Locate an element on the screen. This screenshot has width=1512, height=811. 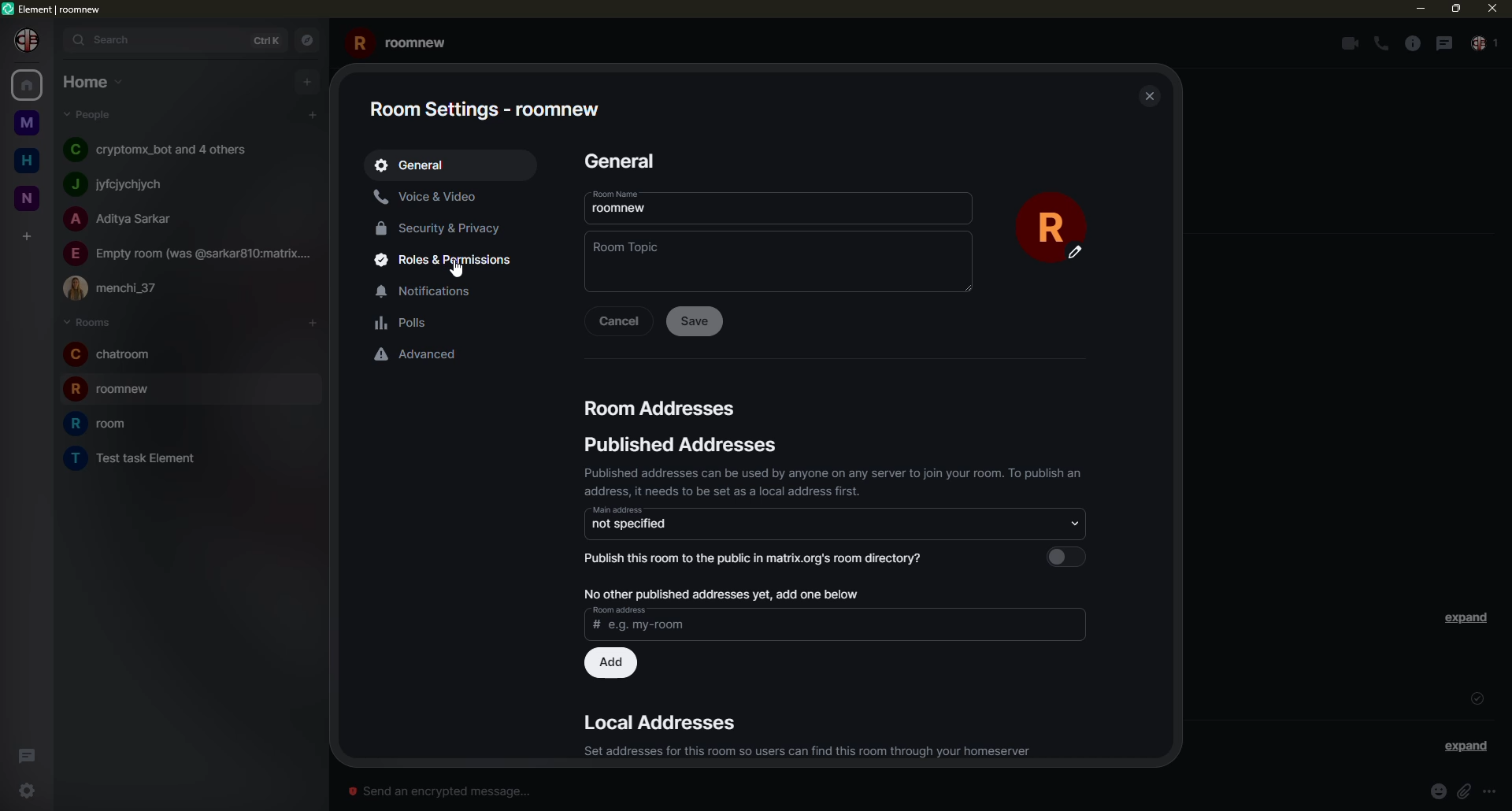
home is located at coordinates (27, 161).